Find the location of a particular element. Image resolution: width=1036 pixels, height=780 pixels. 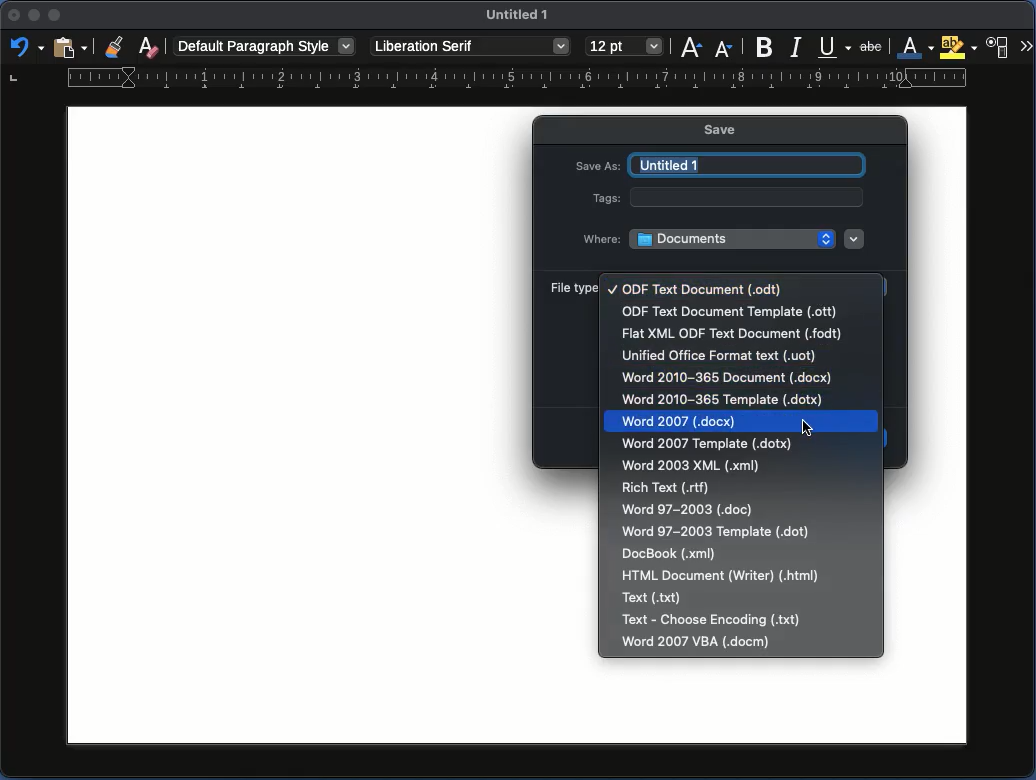

docx is located at coordinates (726, 378).